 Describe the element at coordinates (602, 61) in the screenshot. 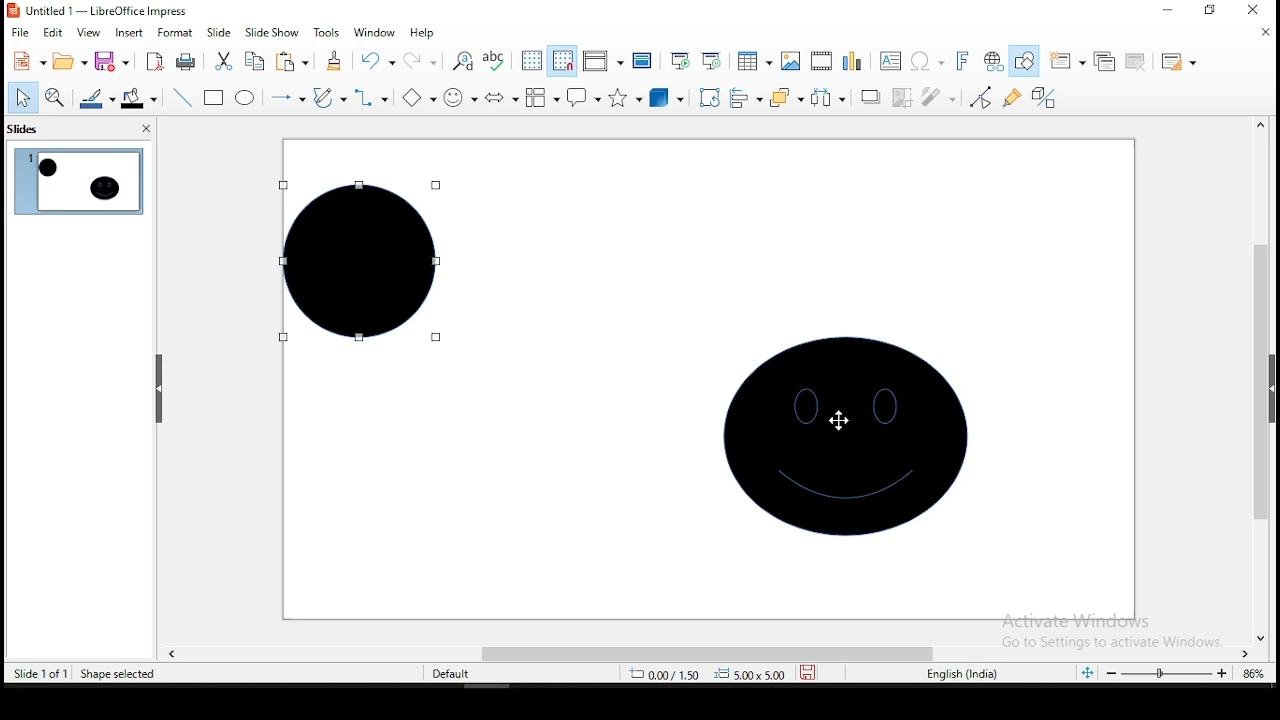

I see `display views` at that location.